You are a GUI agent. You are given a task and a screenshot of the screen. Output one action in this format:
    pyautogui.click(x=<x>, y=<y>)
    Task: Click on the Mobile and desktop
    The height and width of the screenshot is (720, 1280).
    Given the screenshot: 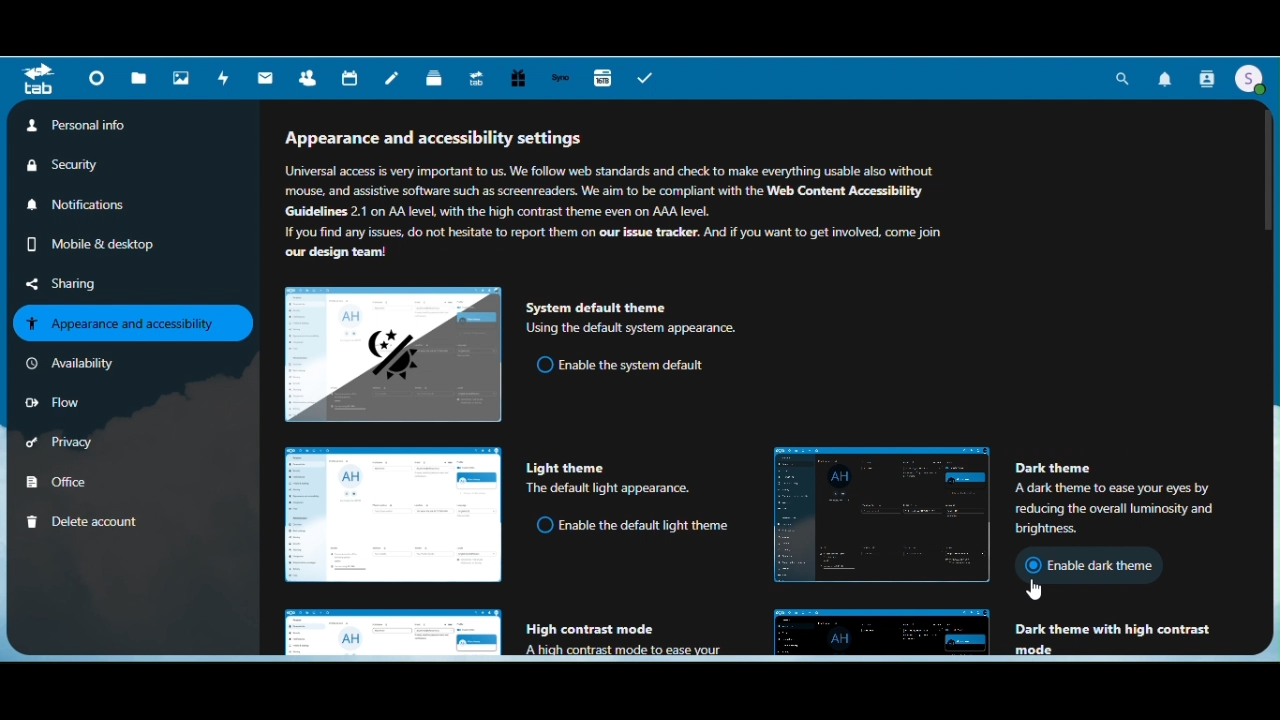 What is the action you would take?
    pyautogui.click(x=84, y=243)
    